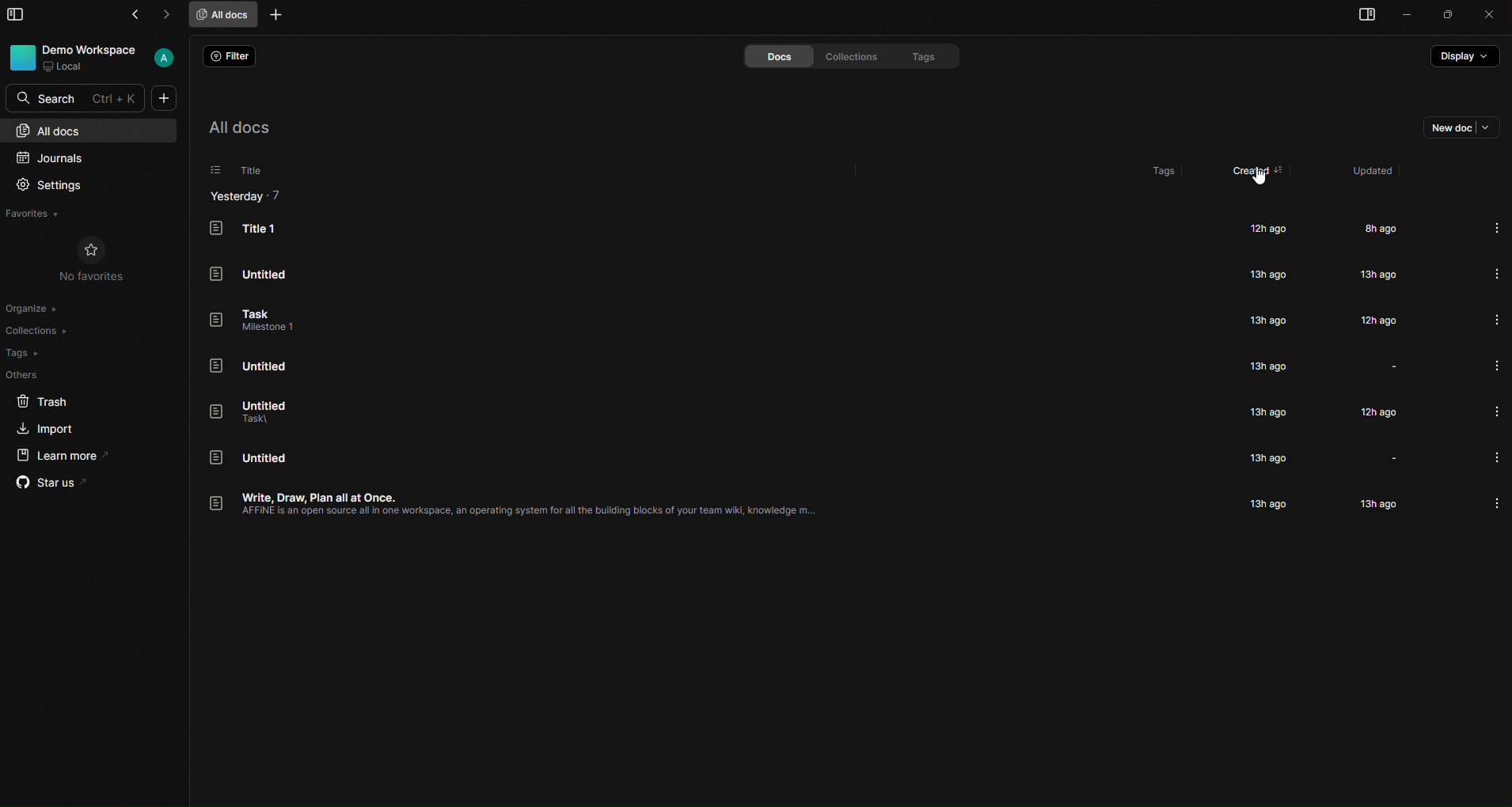  Describe the element at coordinates (253, 366) in the screenshot. I see `Untitled` at that location.